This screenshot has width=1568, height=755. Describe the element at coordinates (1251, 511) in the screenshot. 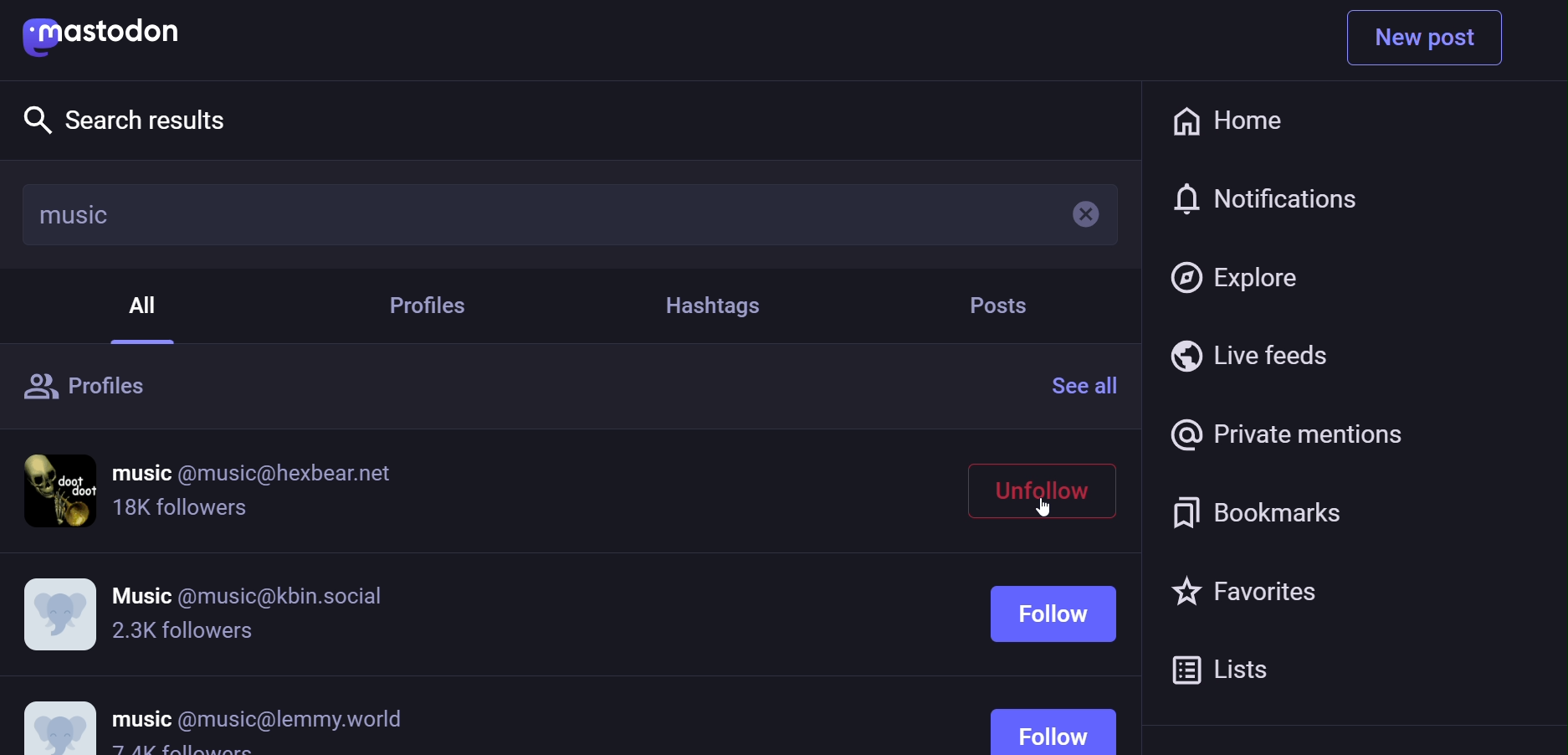

I see `bookmark` at that location.